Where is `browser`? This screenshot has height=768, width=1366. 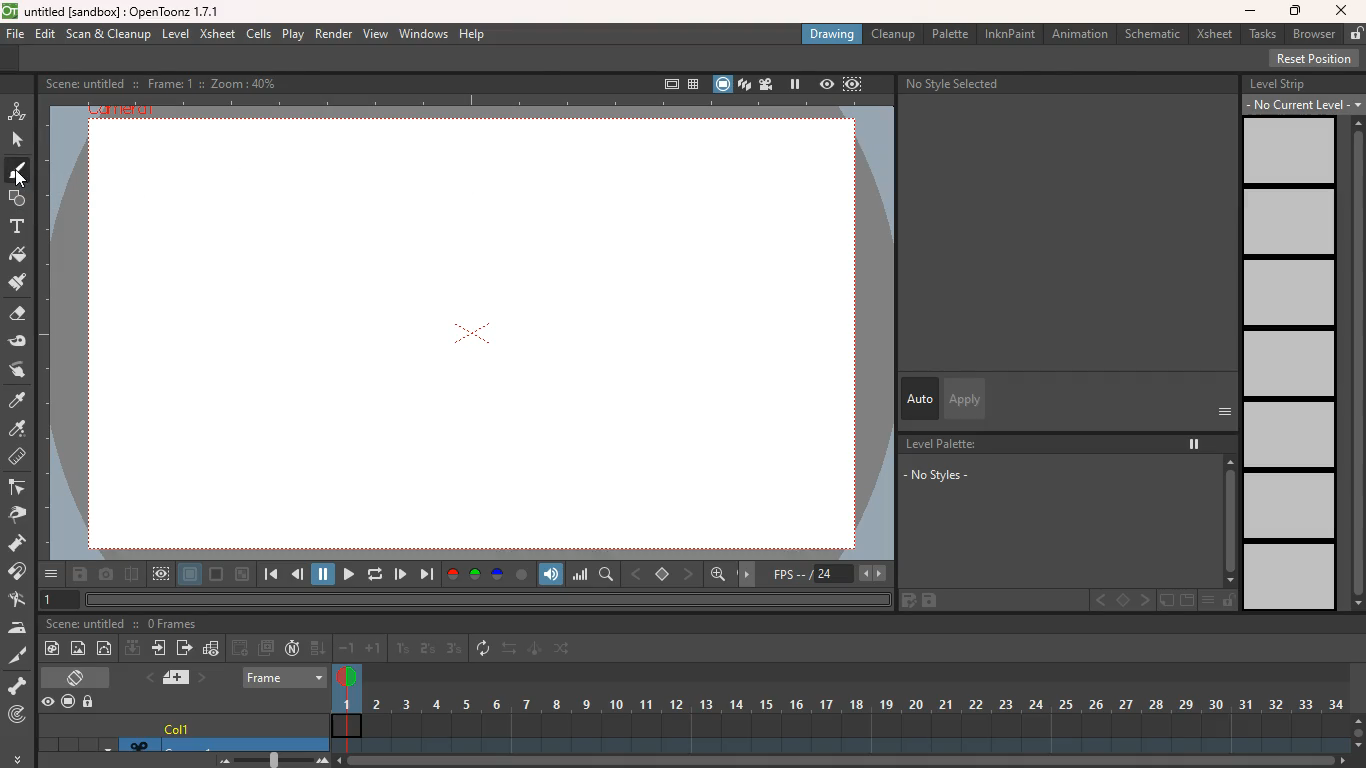 browser is located at coordinates (1312, 33).